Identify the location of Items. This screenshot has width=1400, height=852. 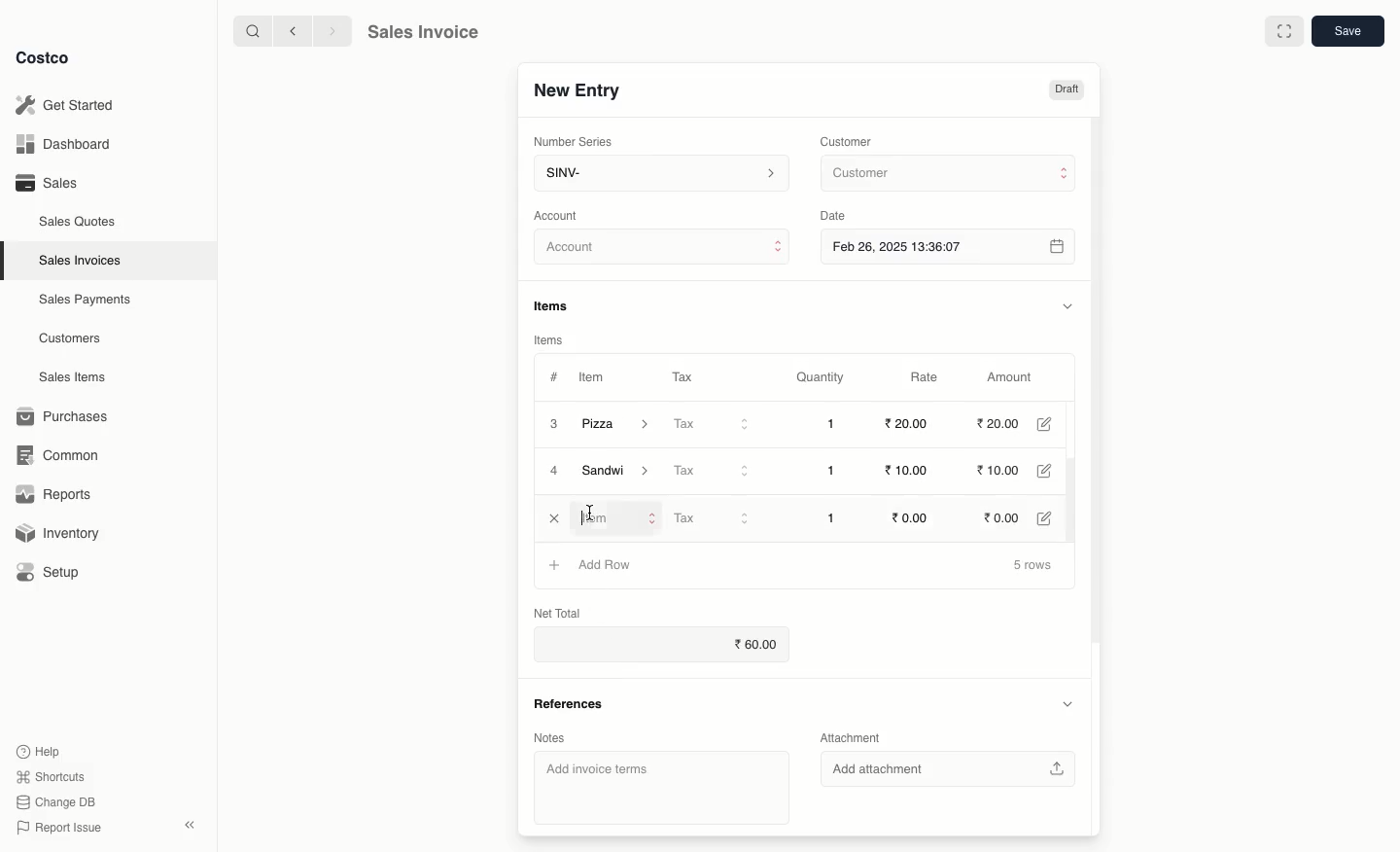
(549, 339).